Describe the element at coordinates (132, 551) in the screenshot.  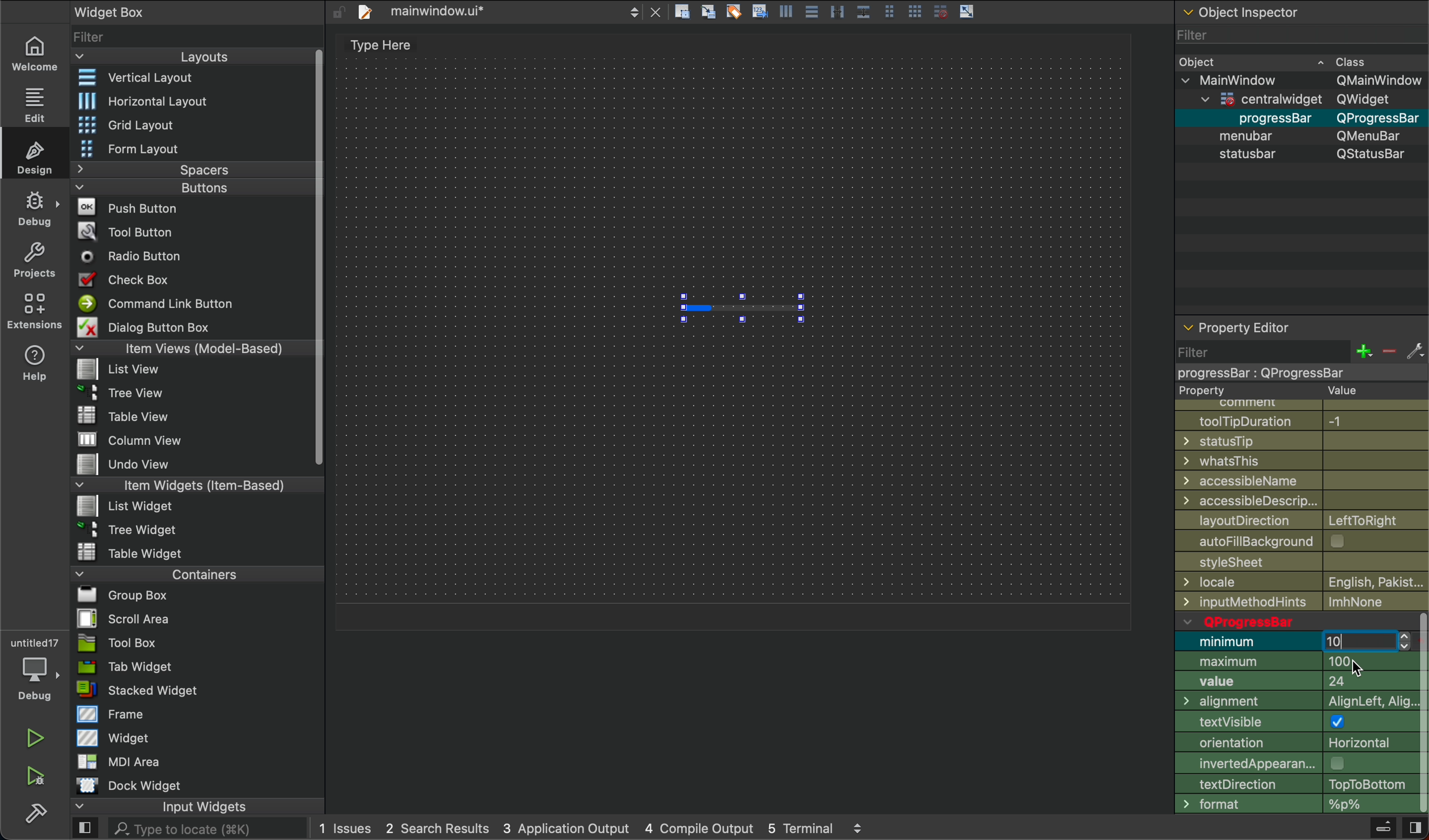
I see `File` at that location.